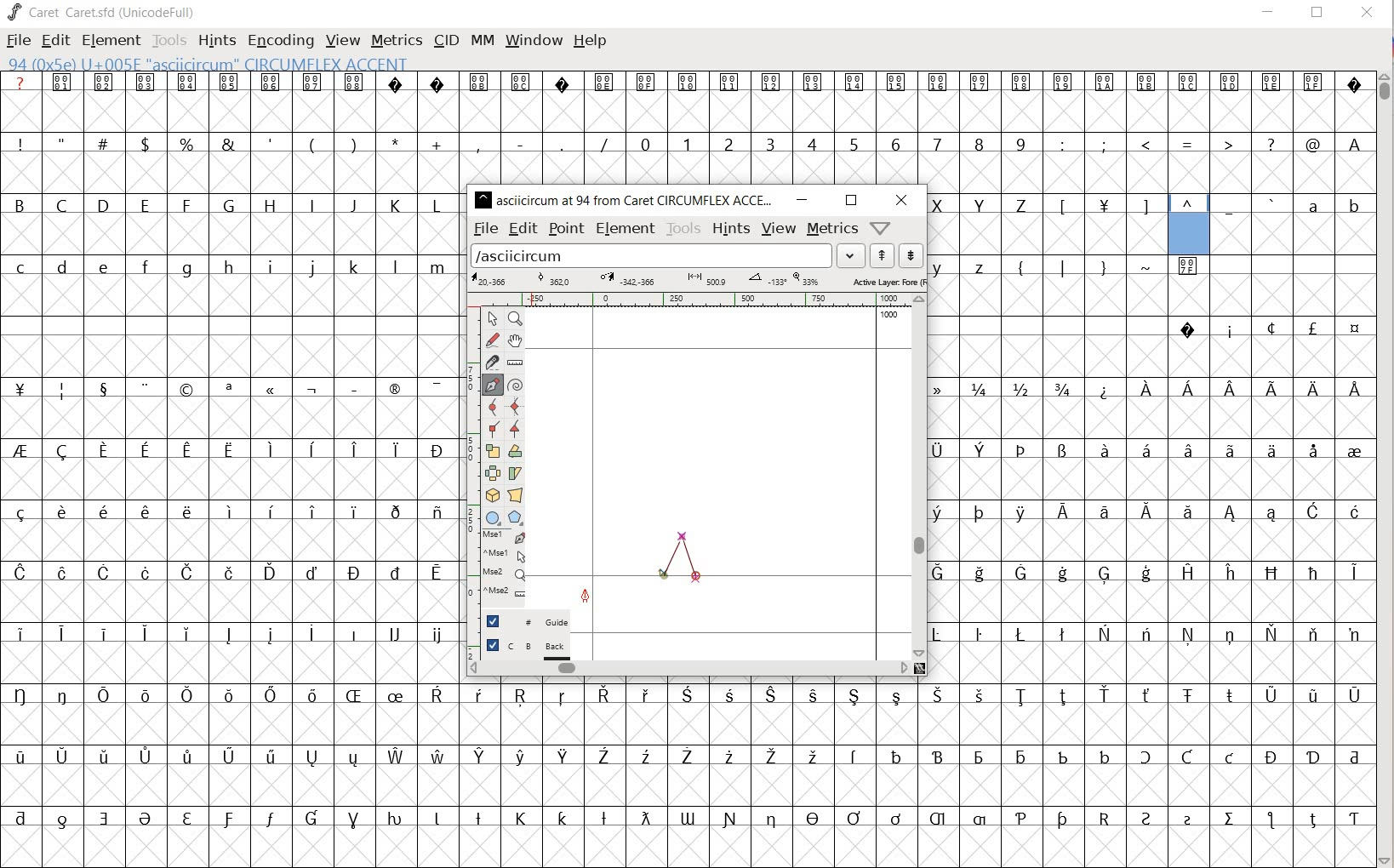 The height and width of the screenshot is (868, 1394). Describe the element at coordinates (883, 257) in the screenshot. I see `show the next word on the list` at that location.